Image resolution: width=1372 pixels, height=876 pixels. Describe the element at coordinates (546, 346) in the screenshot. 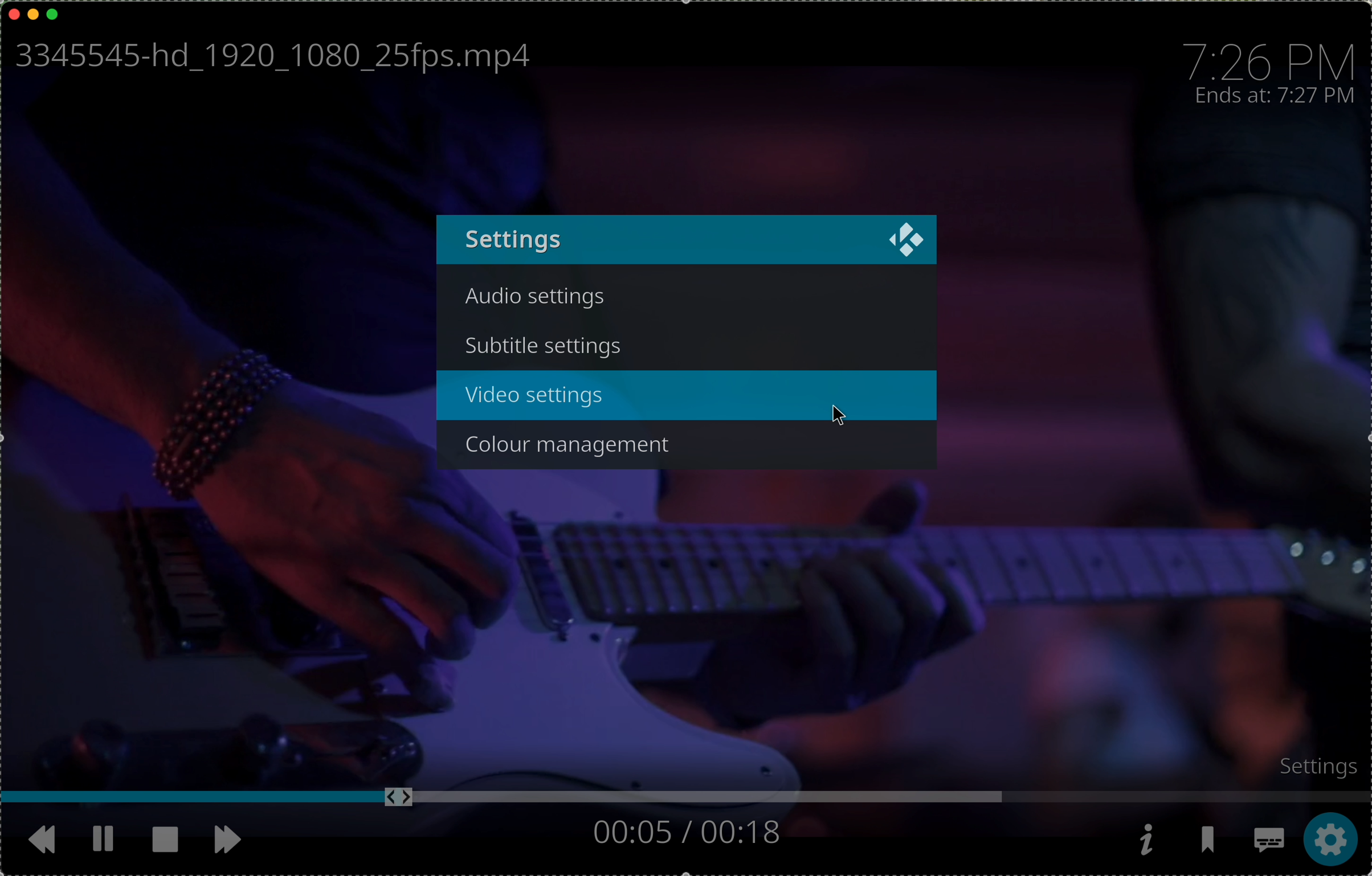

I see `subtitle settings` at that location.